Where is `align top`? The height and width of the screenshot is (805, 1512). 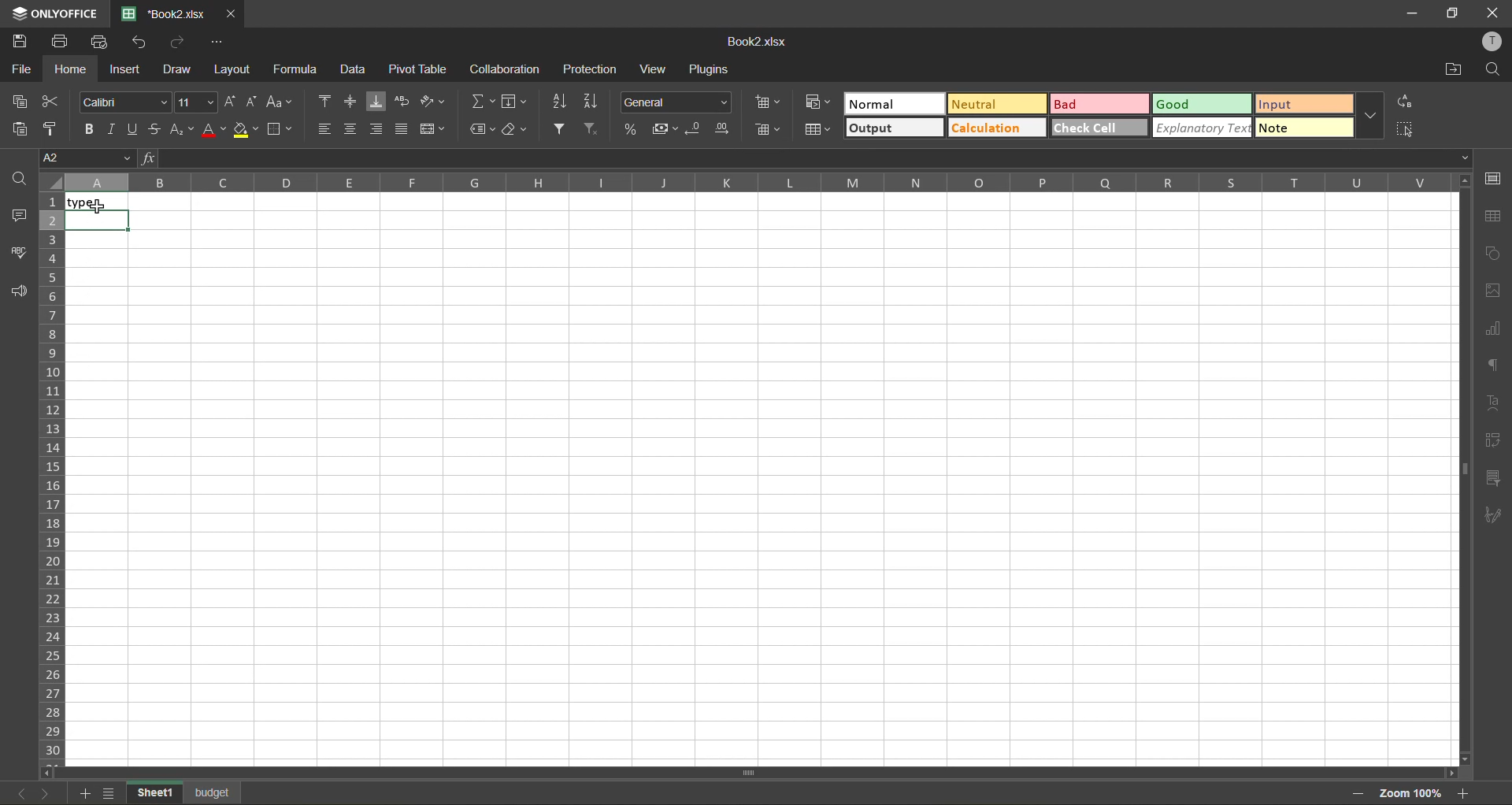 align top is located at coordinates (323, 101).